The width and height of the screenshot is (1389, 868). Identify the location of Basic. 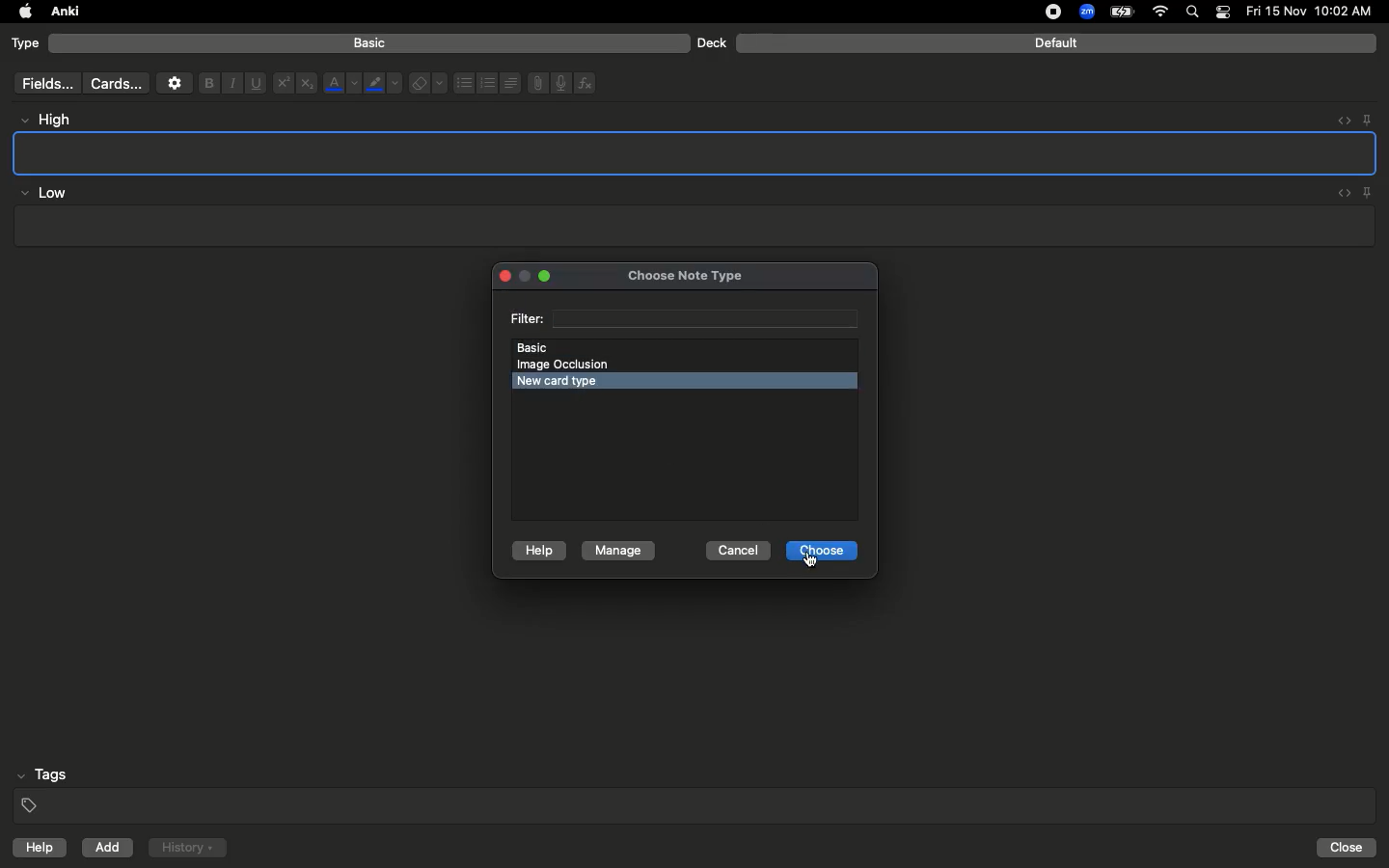
(370, 43).